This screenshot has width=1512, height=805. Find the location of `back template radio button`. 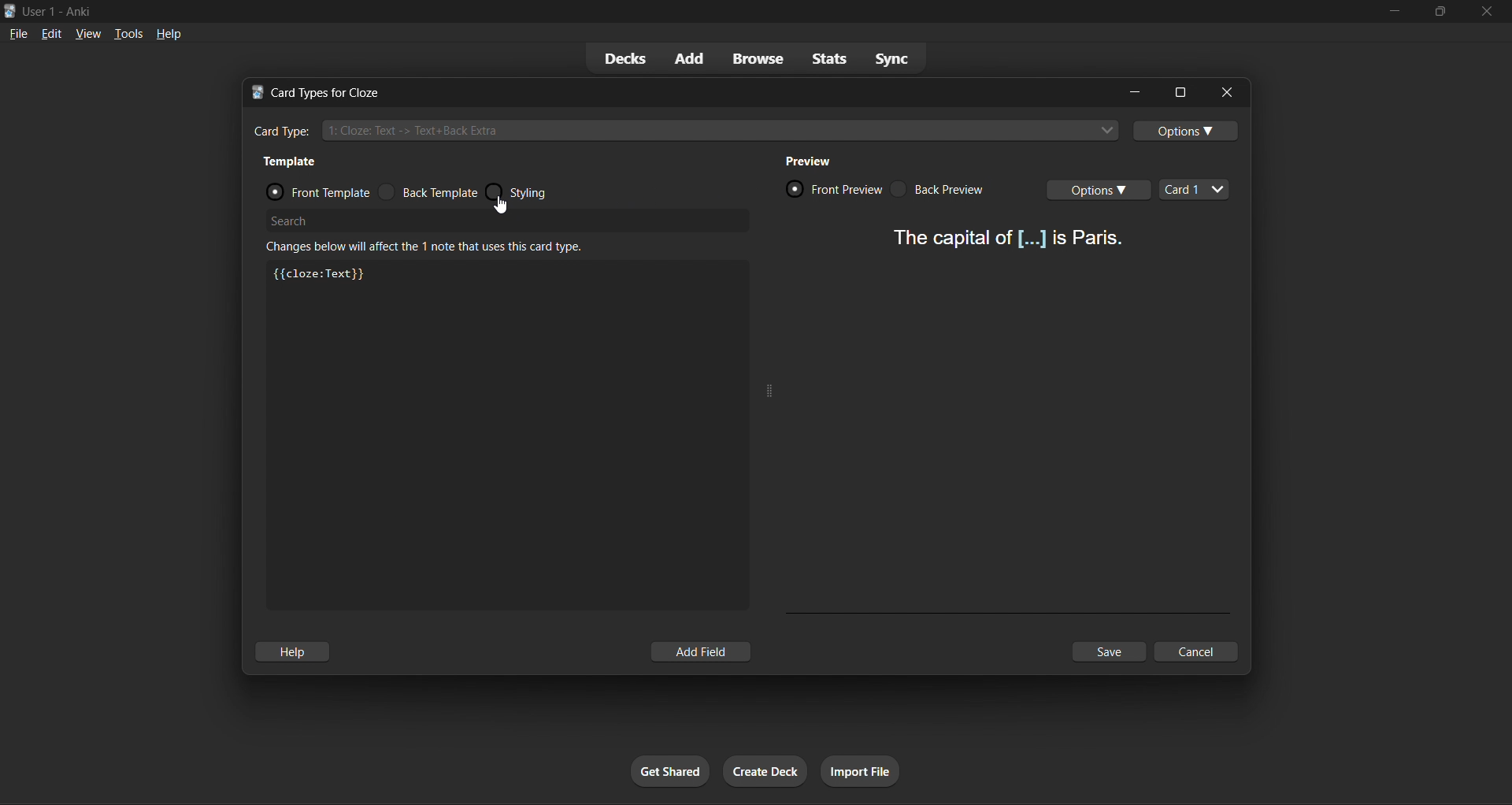

back template radio button is located at coordinates (431, 191).